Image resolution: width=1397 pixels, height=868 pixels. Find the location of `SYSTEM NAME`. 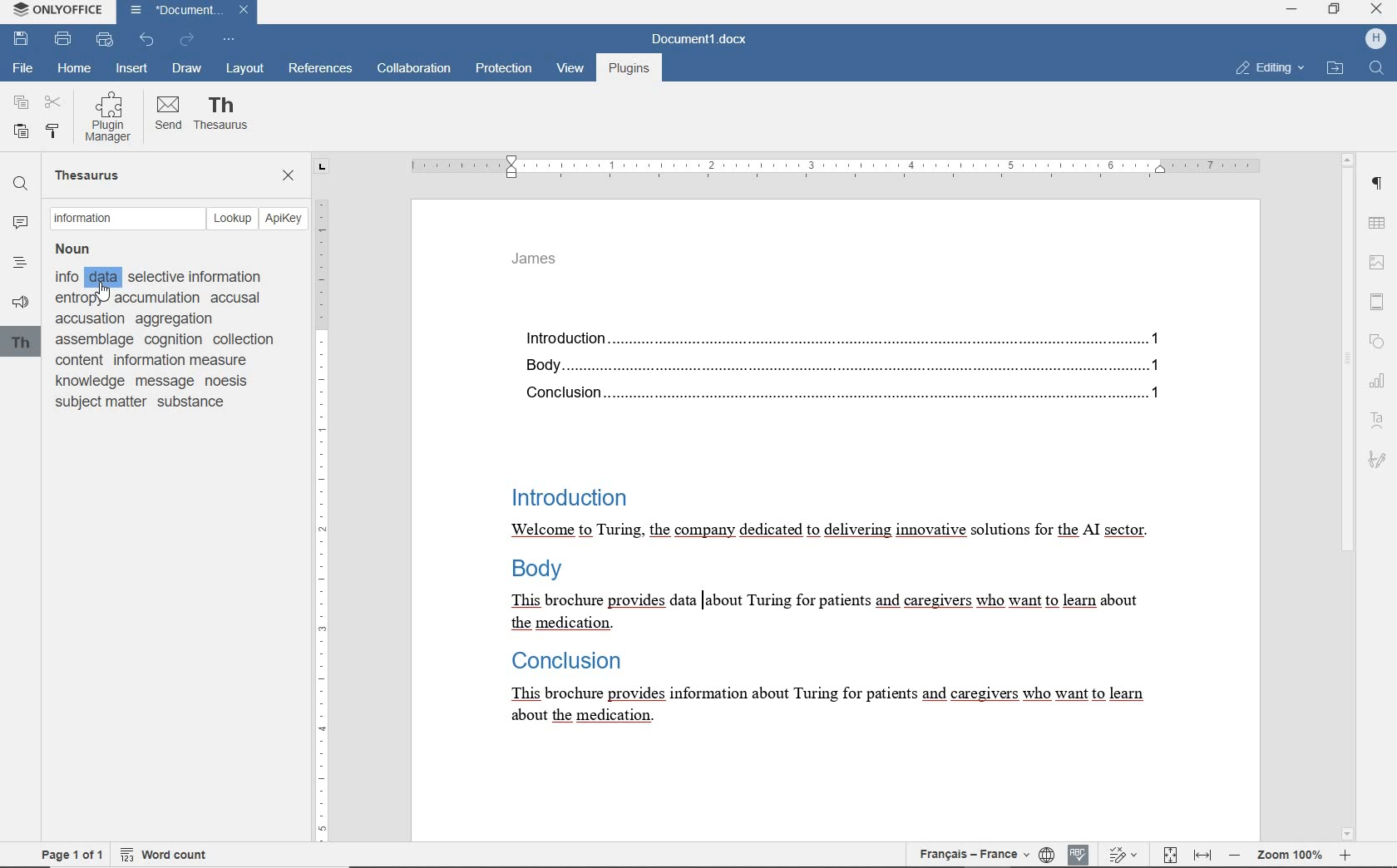

SYSTEM NAME is located at coordinates (55, 10).